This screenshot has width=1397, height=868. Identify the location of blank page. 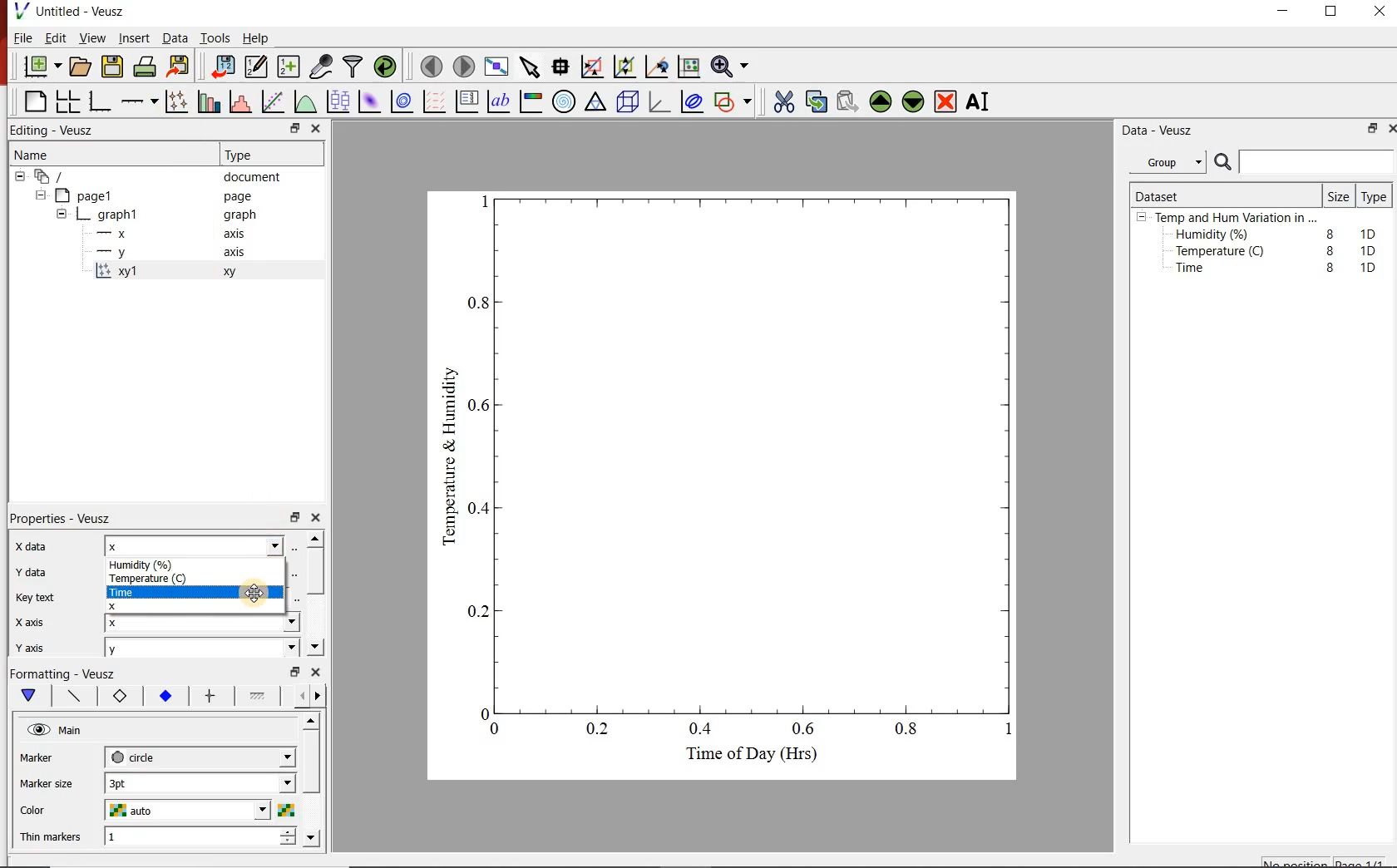
(33, 100).